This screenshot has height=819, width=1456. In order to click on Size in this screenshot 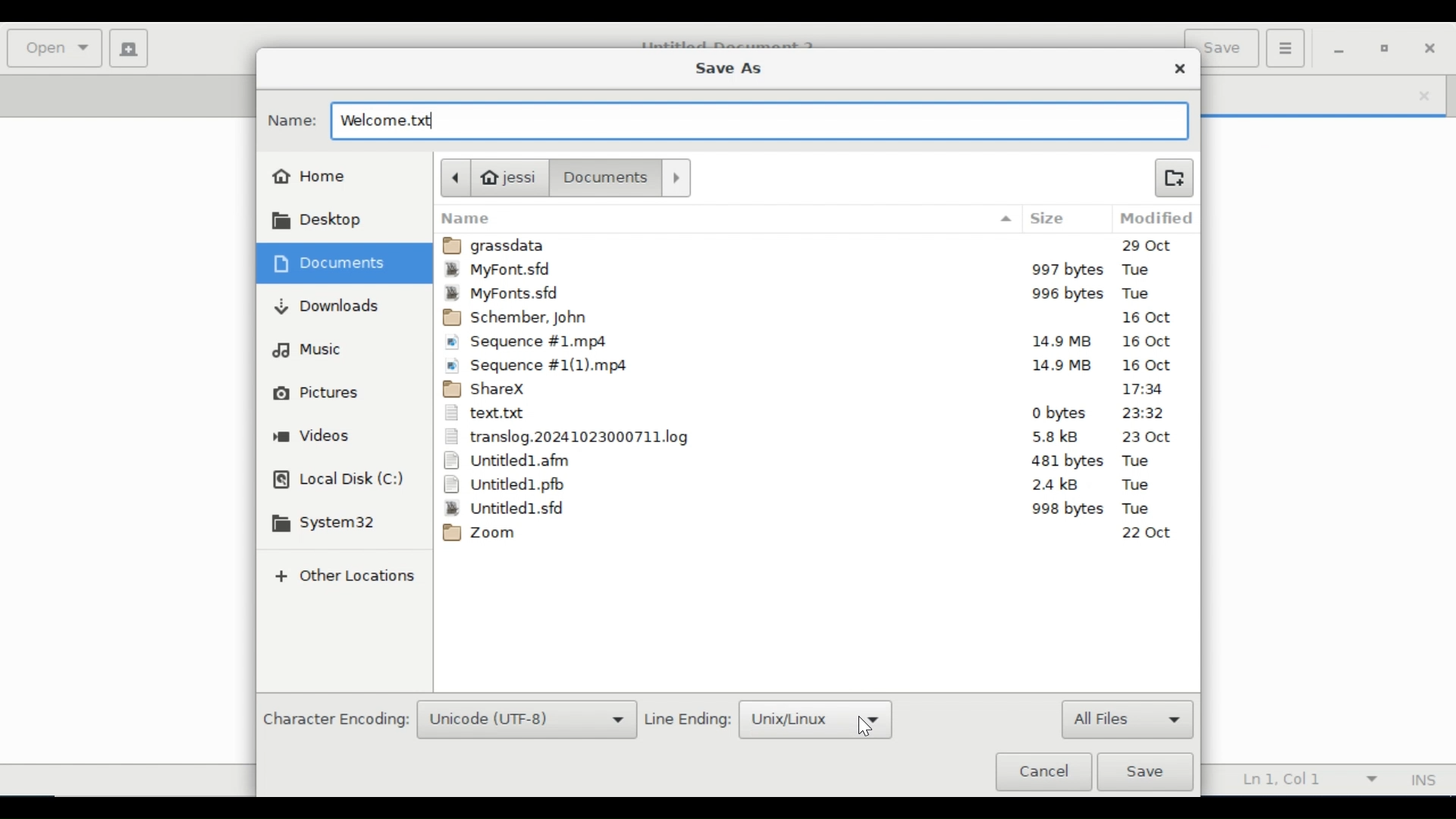, I will do `click(1050, 218)`.